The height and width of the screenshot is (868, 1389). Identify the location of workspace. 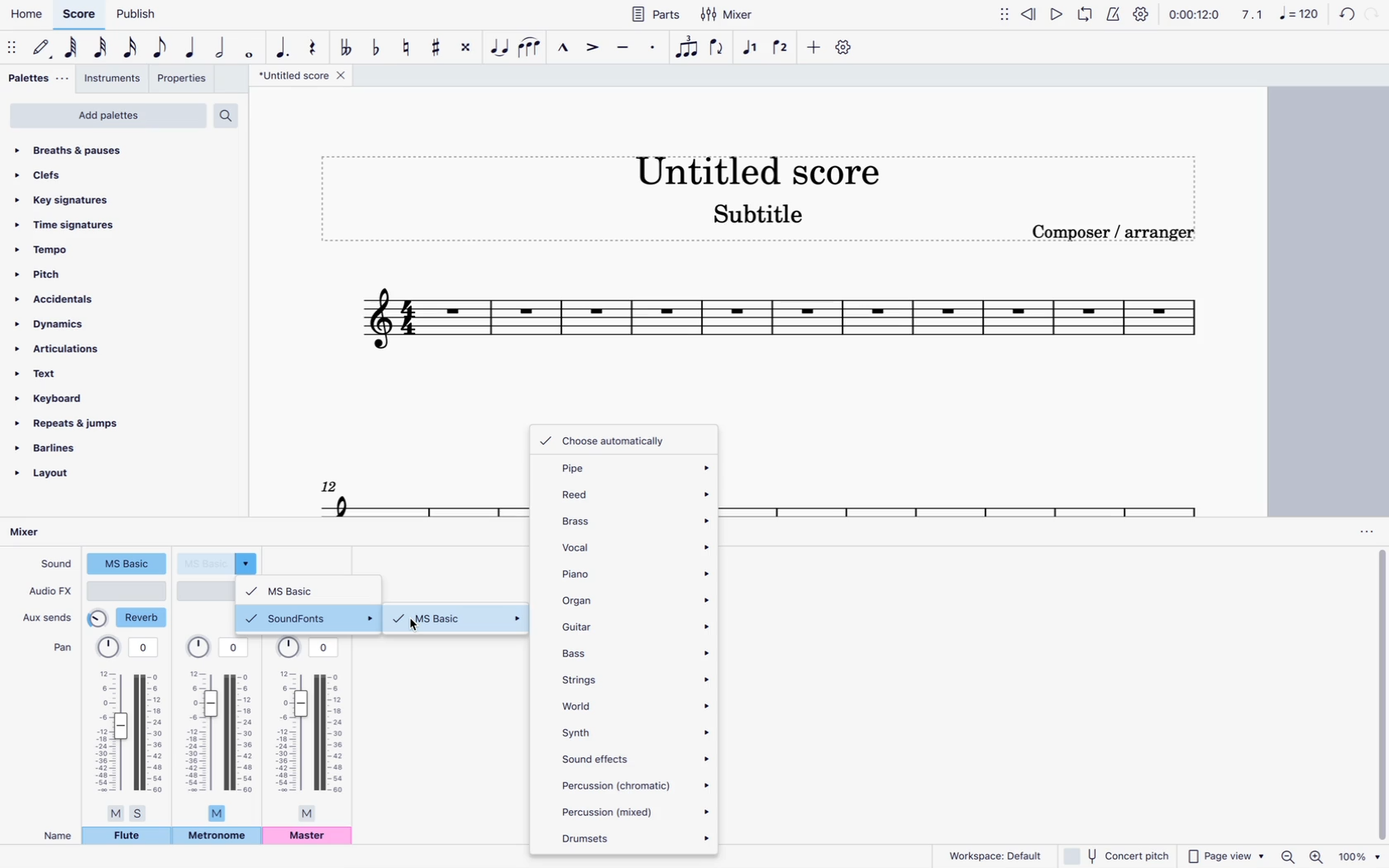
(995, 855).